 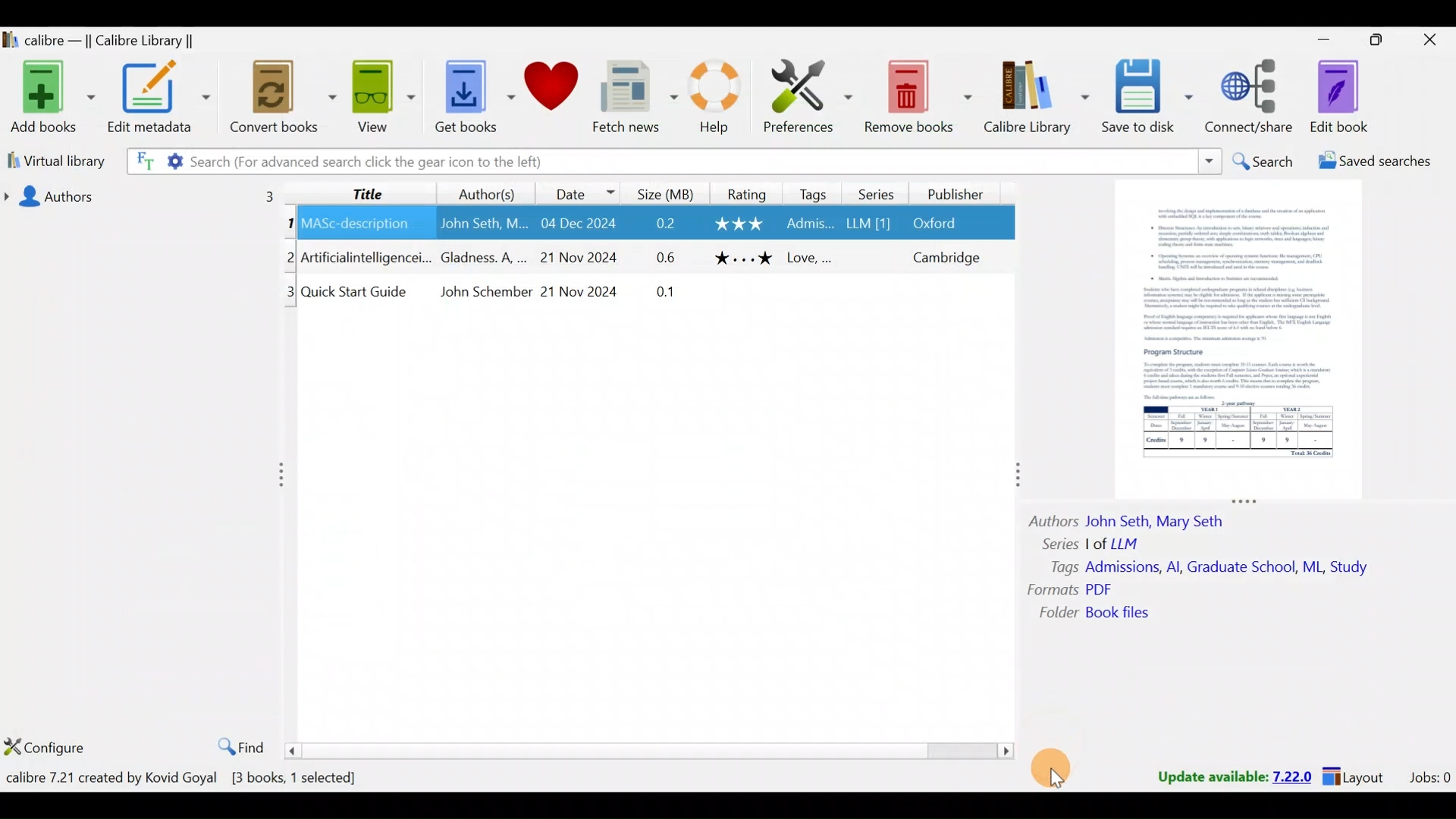 What do you see at coordinates (56, 98) in the screenshot?
I see `Add books` at bounding box center [56, 98].